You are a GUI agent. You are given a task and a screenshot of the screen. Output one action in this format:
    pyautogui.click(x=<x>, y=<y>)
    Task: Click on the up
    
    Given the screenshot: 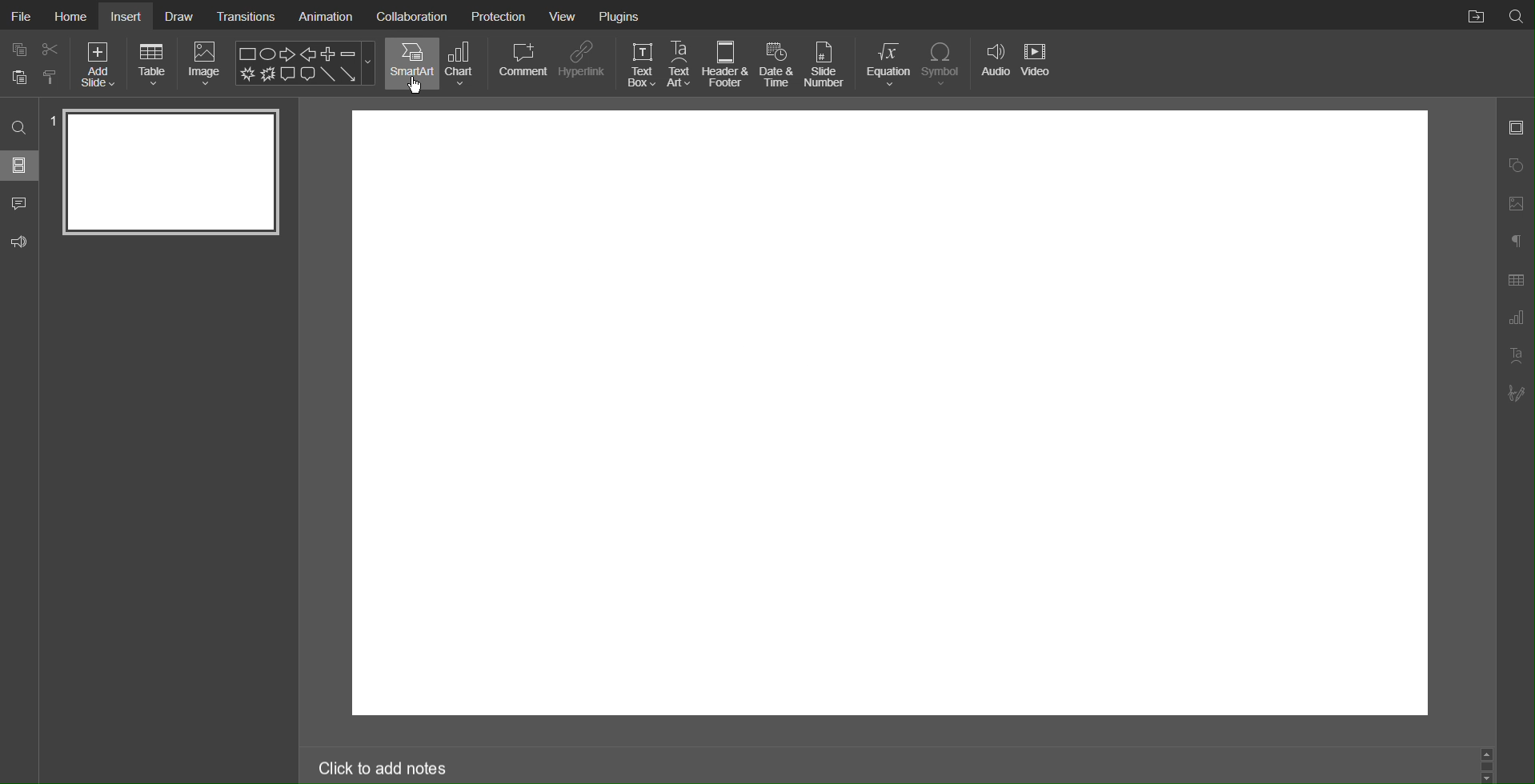 What is the action you would take?
    pyautogui.click(x=1490, y=755)
    